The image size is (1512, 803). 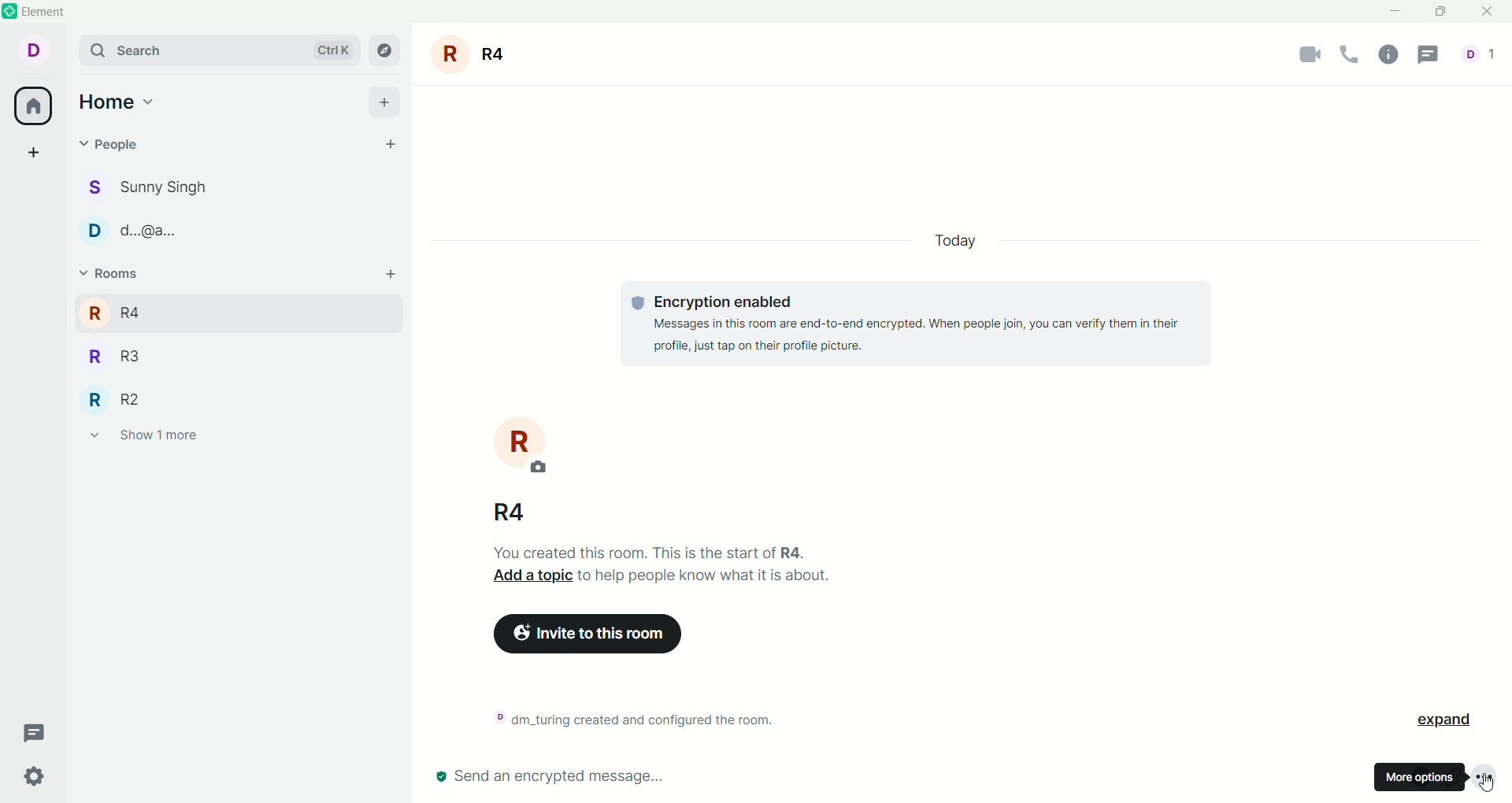 What do you see at coordinates (1478, 56) in the screenshot?
I see `people` at bounding box center [1478, 56].